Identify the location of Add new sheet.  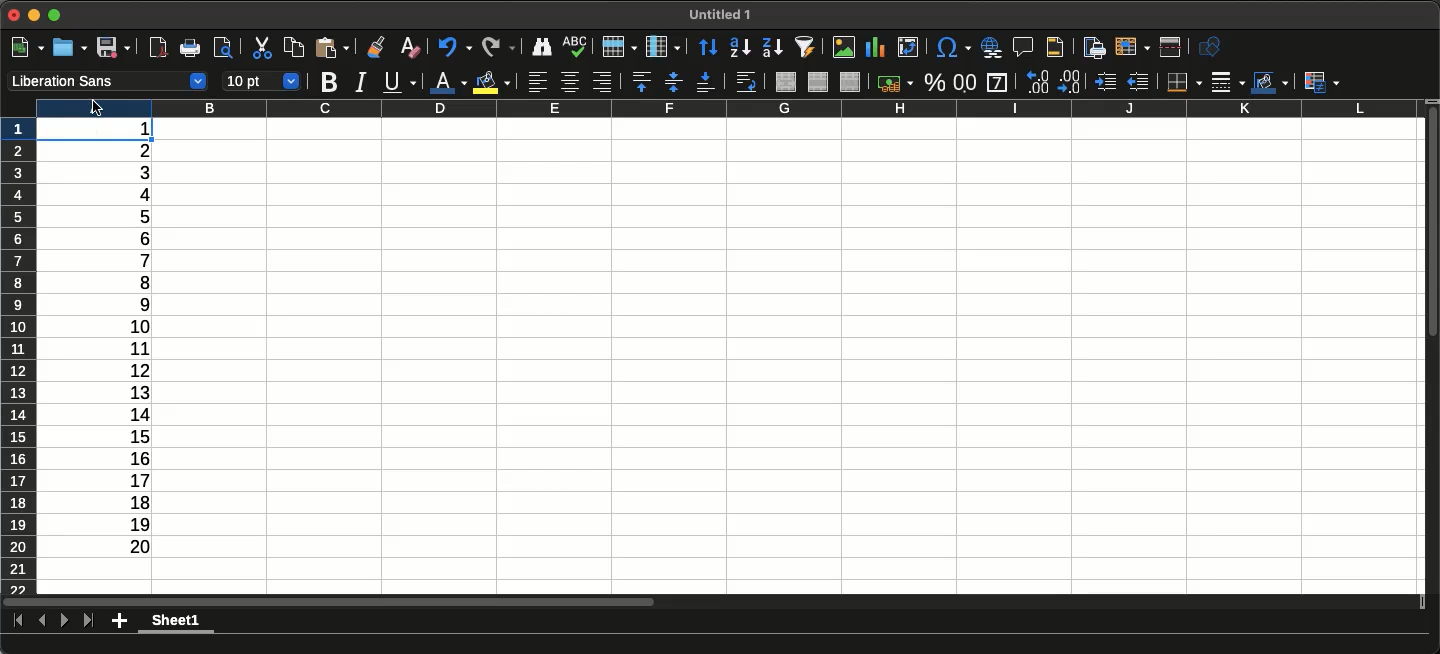
(119, 621).